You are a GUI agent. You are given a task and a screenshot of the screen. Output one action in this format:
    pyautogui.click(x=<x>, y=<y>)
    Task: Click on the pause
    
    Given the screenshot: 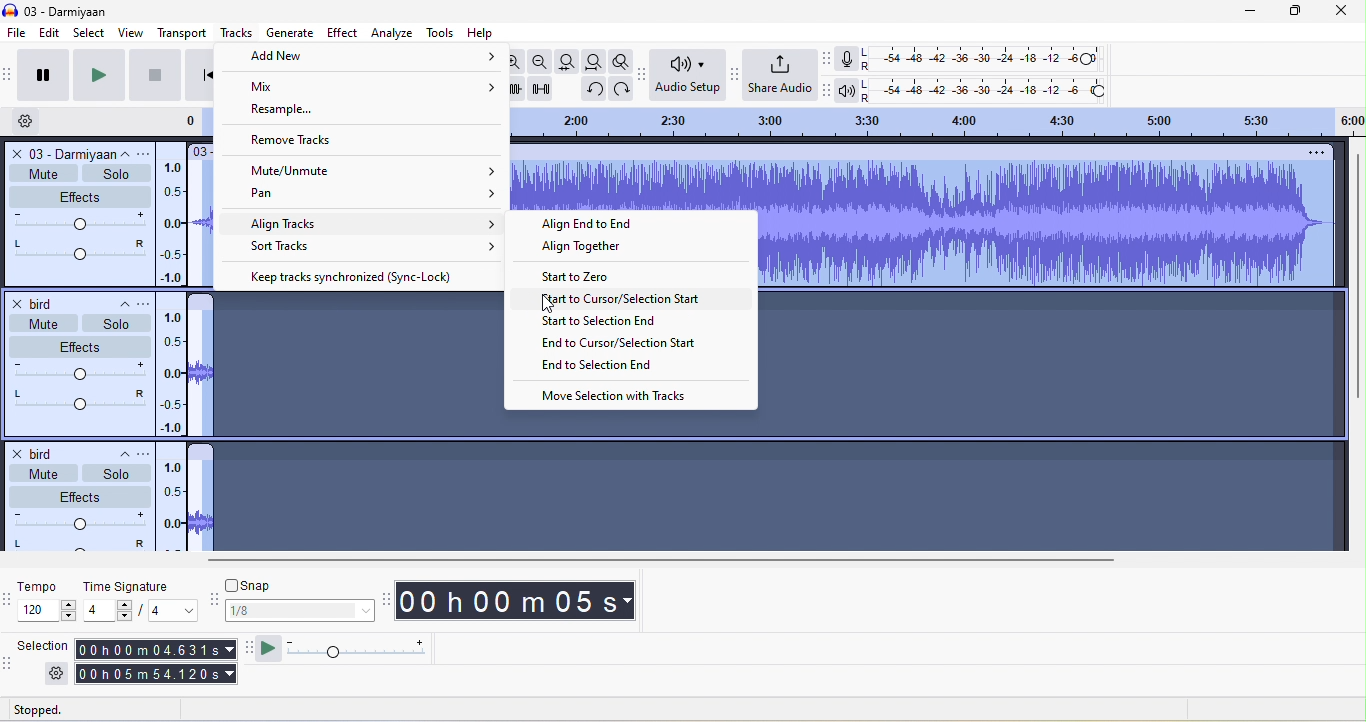 What is the action you would take?
    pyautogui.click(x=45, y=75)
    